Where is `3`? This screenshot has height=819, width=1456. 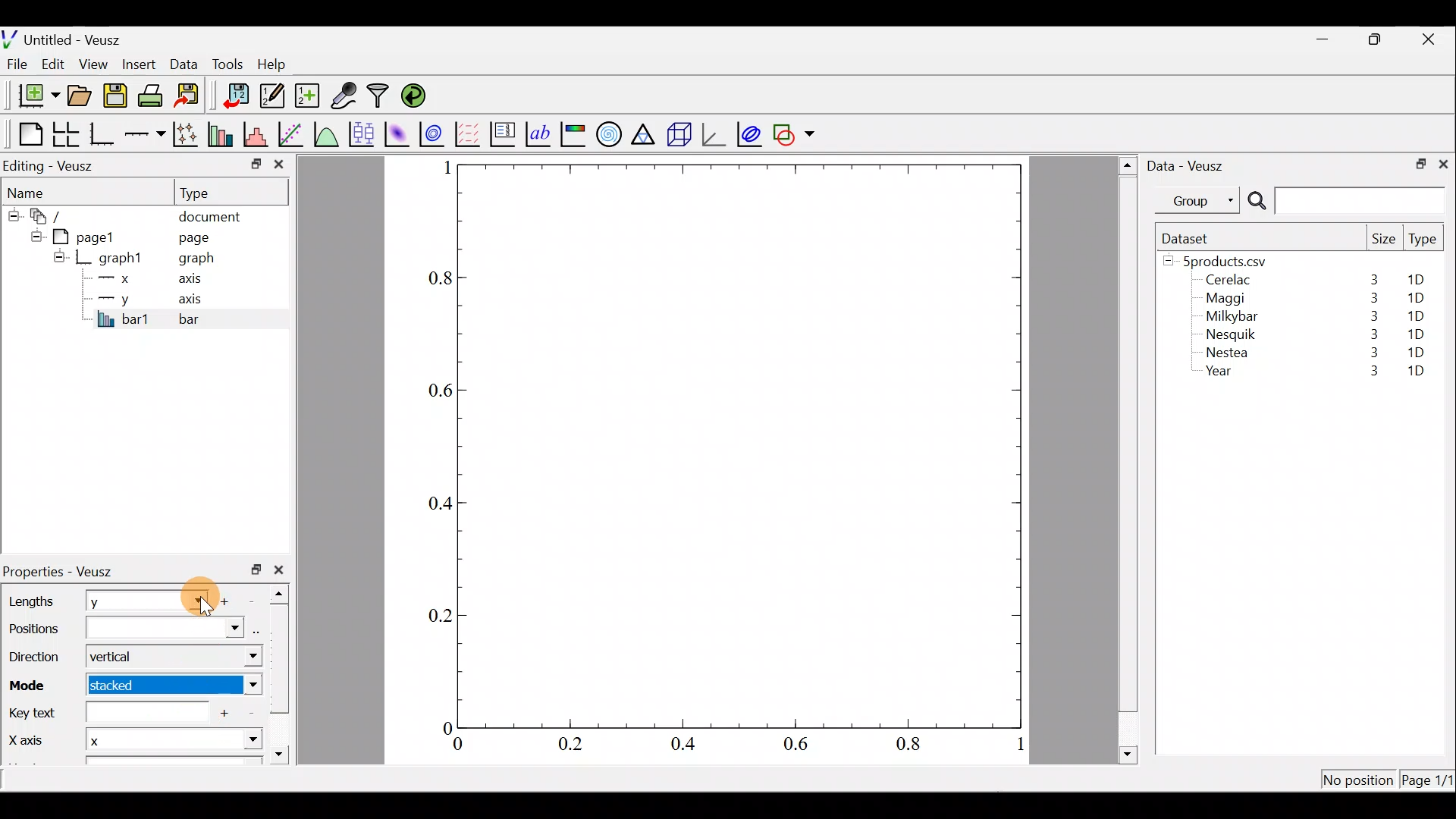
3 is located at coordinates (1370, 355).